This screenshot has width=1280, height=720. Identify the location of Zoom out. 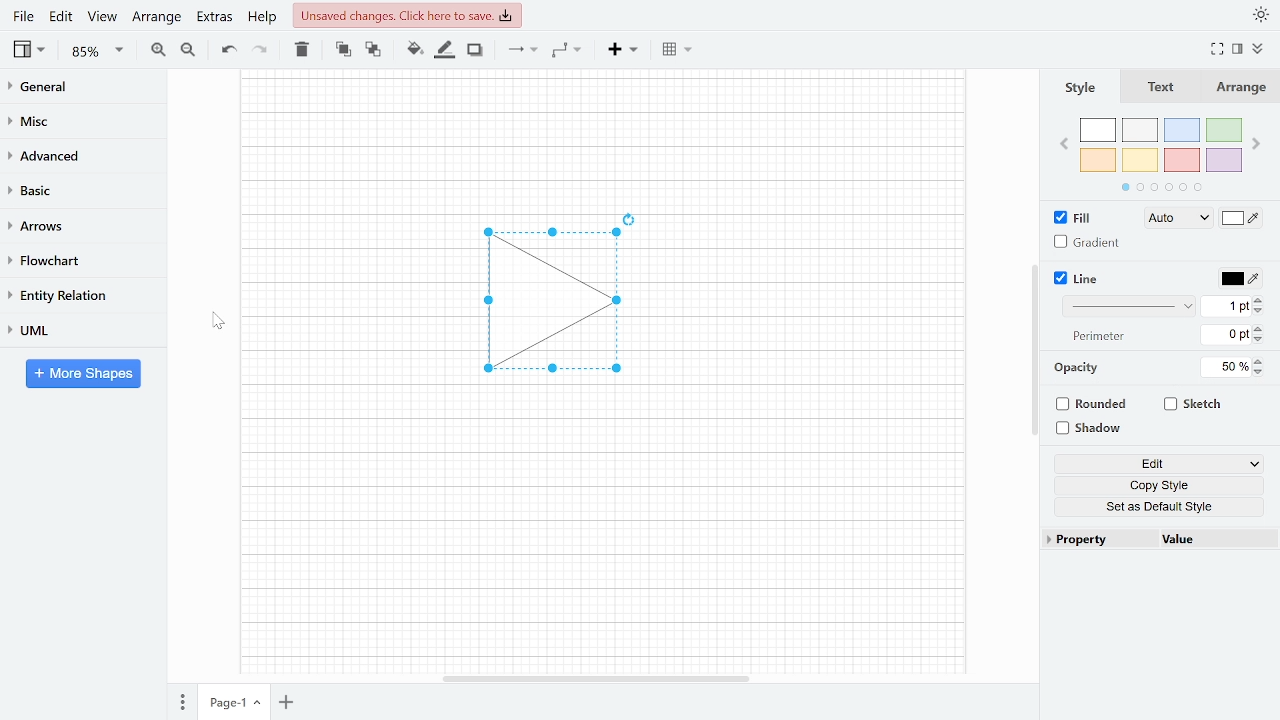
(190, 49).